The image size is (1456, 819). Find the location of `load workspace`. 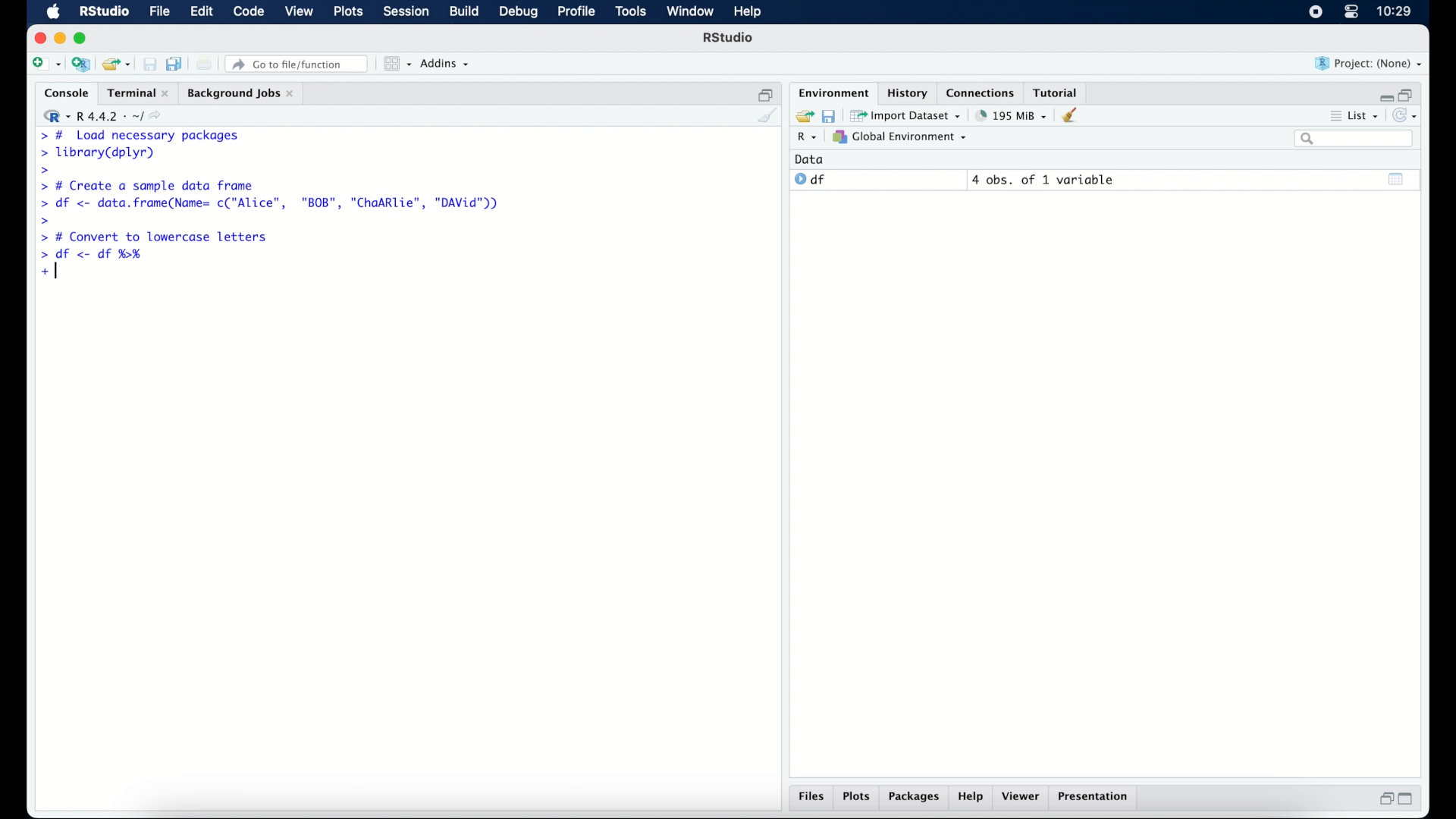

load workspace is located at coordinates (802, 115).